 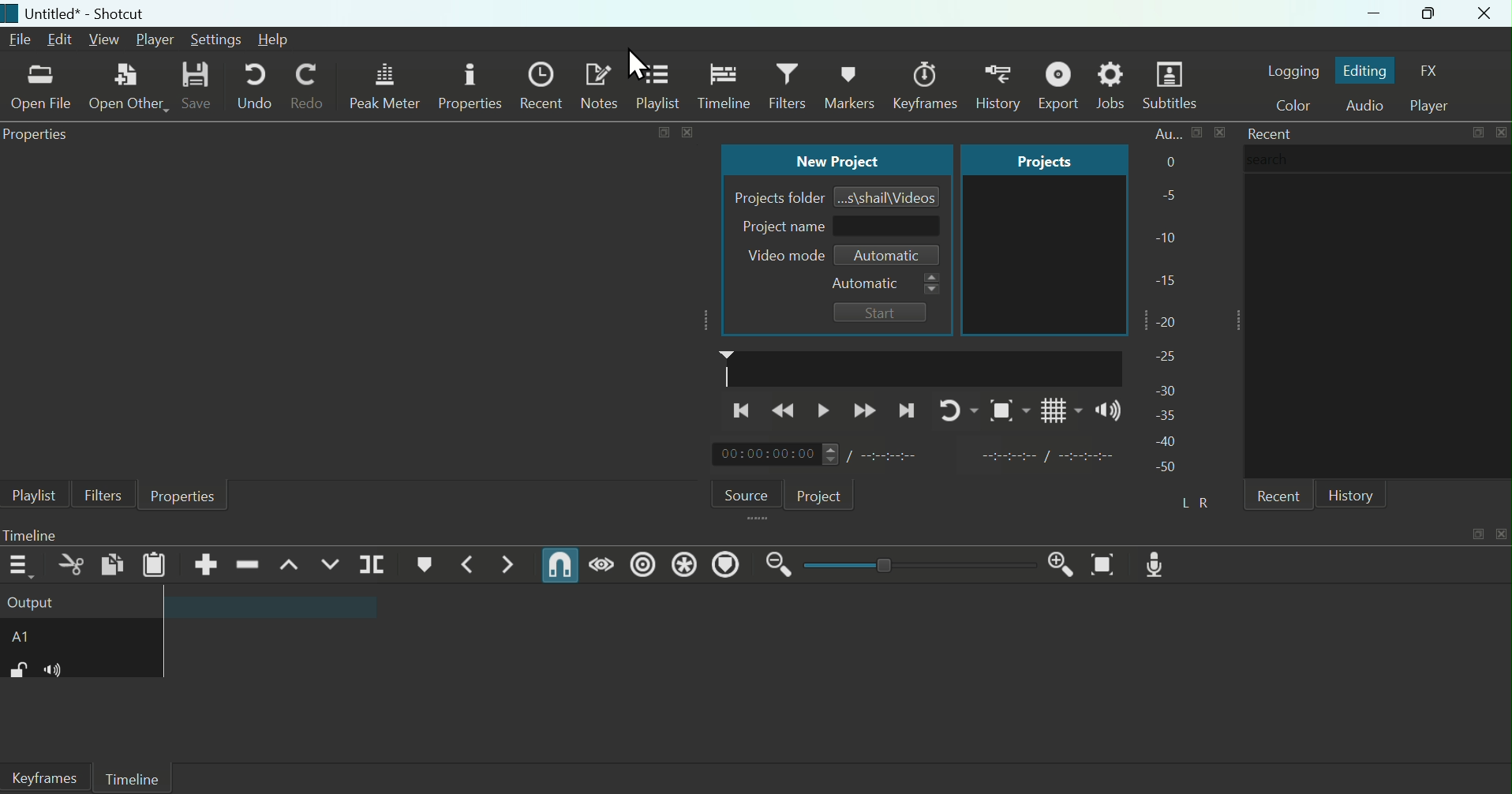 I want to click on close, so click(x=1500, y=534).